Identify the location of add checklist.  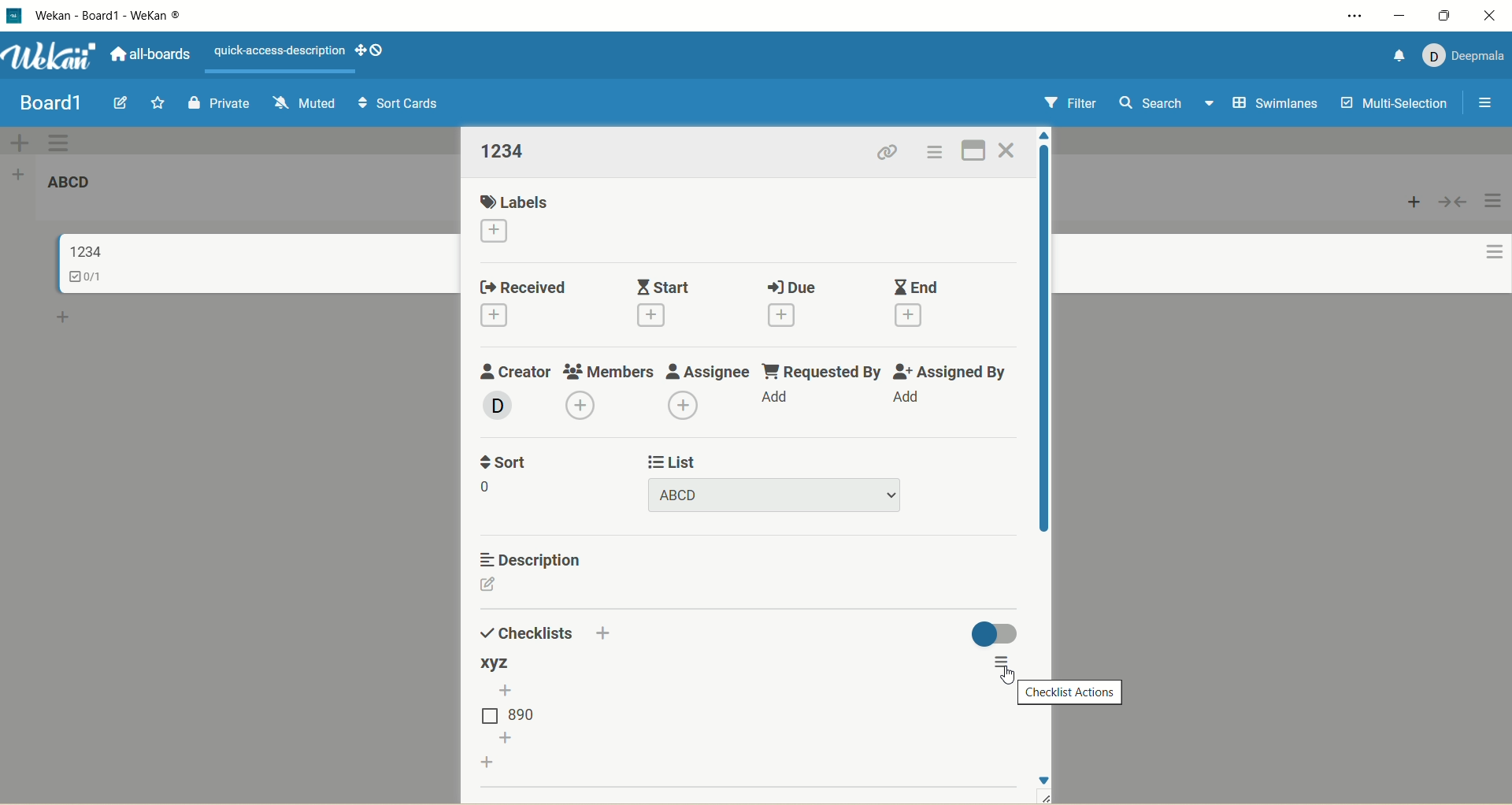
(486, 762).